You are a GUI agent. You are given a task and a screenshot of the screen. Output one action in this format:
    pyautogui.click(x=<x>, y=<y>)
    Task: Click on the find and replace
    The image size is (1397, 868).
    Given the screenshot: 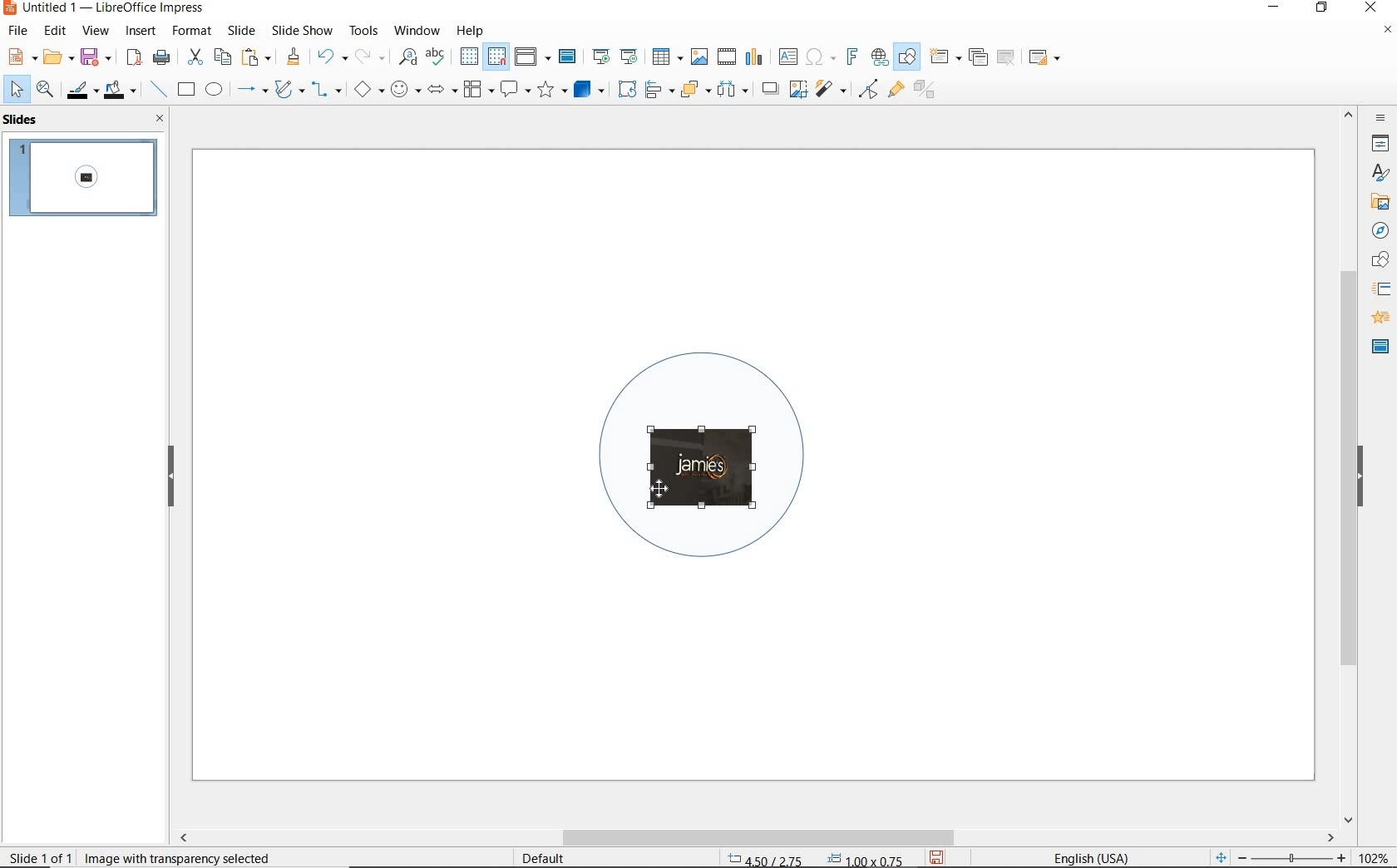 What is the action you would take?
    pyautogui.click(x=407, y=57)
    